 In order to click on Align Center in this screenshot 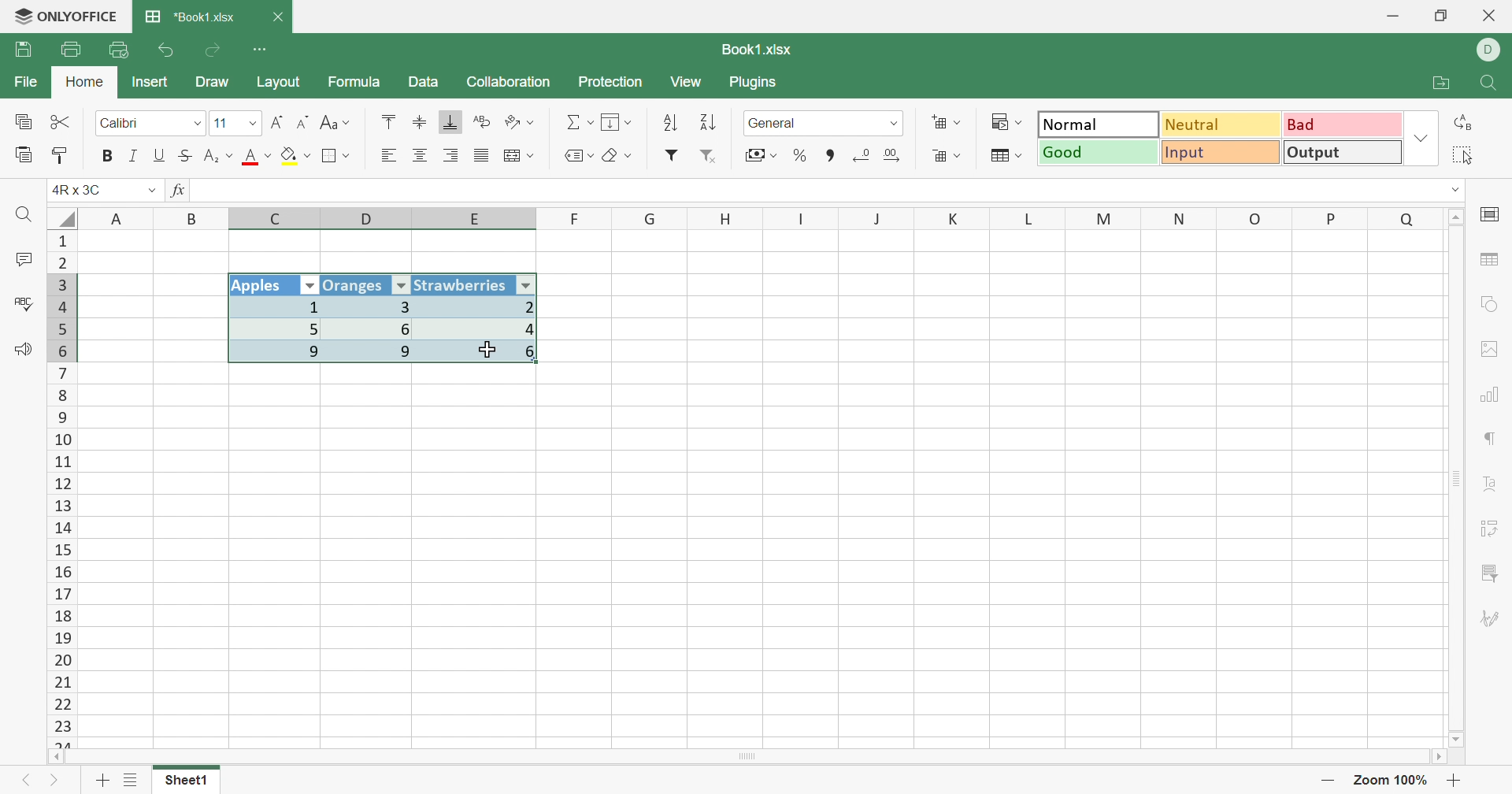, I will do `click(420, 156)`.